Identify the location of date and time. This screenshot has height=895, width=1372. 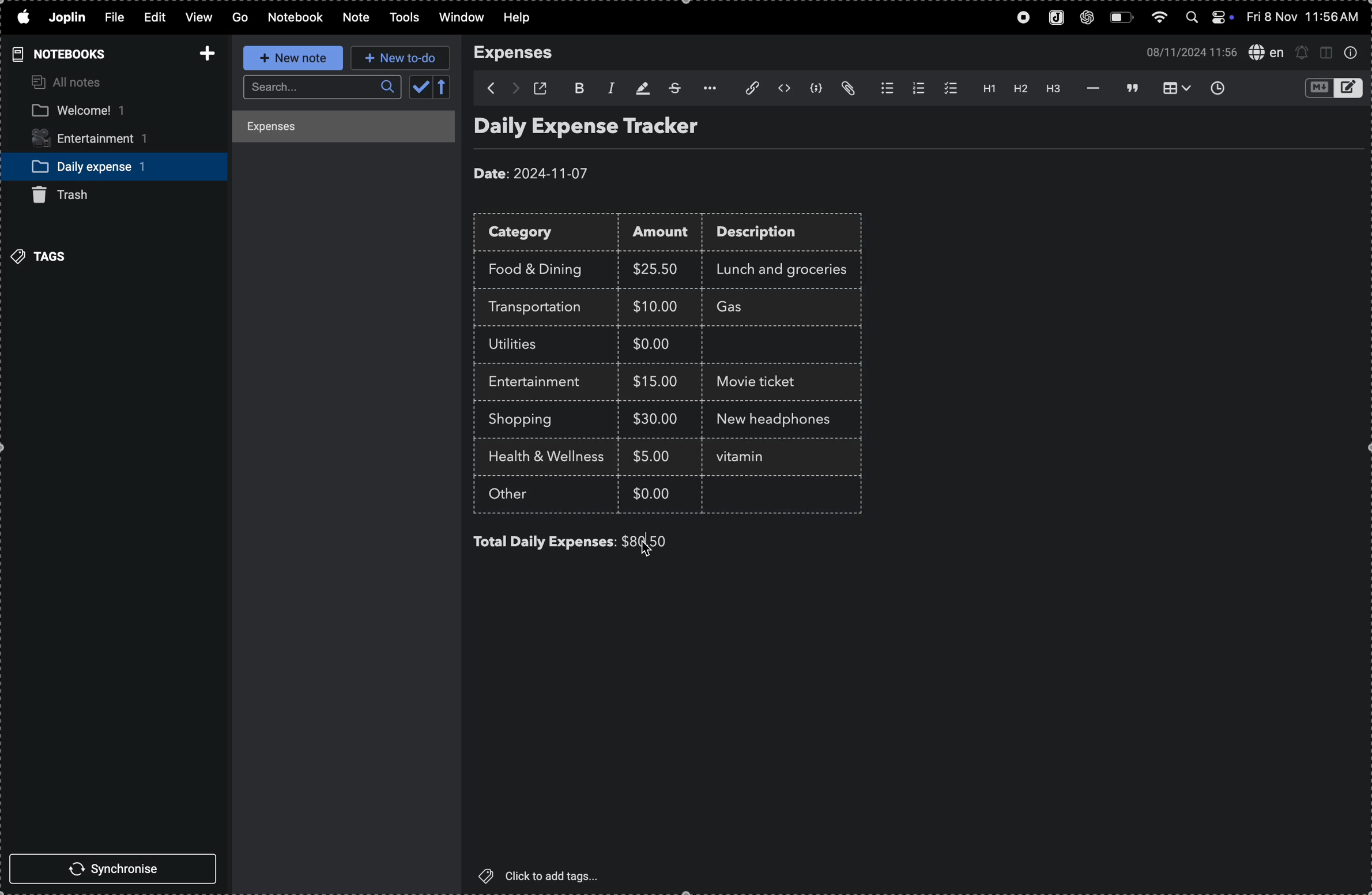
(1305, 17).